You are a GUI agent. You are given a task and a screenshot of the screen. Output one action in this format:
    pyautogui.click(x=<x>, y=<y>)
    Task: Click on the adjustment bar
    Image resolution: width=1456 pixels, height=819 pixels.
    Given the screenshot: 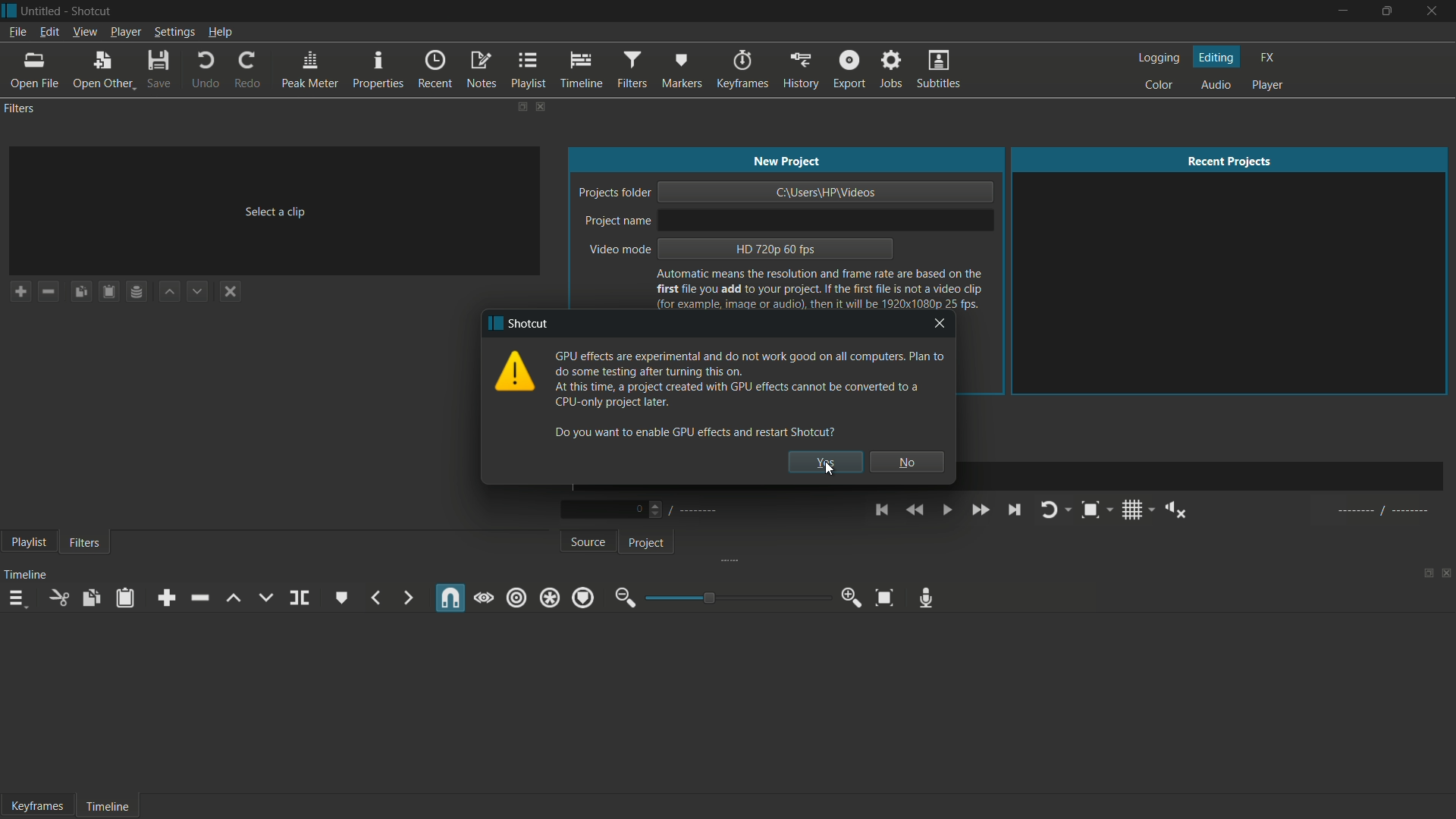 What is the action you would take?
    pyautogui.click(x=734, y=598)
    